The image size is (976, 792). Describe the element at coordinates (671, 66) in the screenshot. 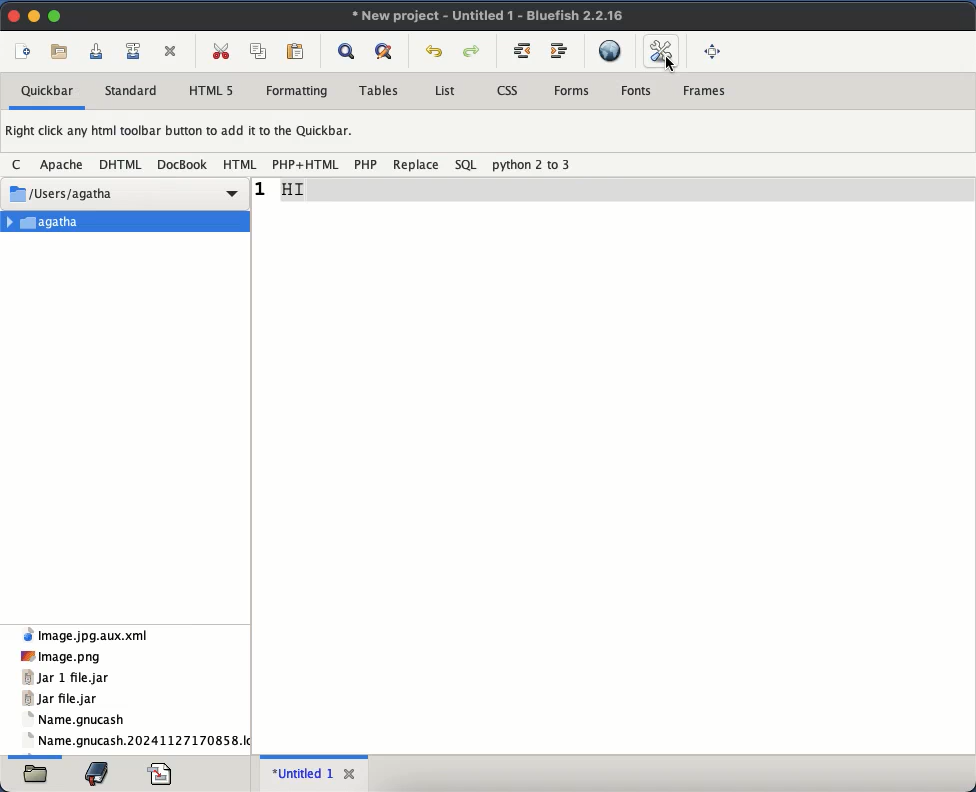

I see `cursor` at that location.